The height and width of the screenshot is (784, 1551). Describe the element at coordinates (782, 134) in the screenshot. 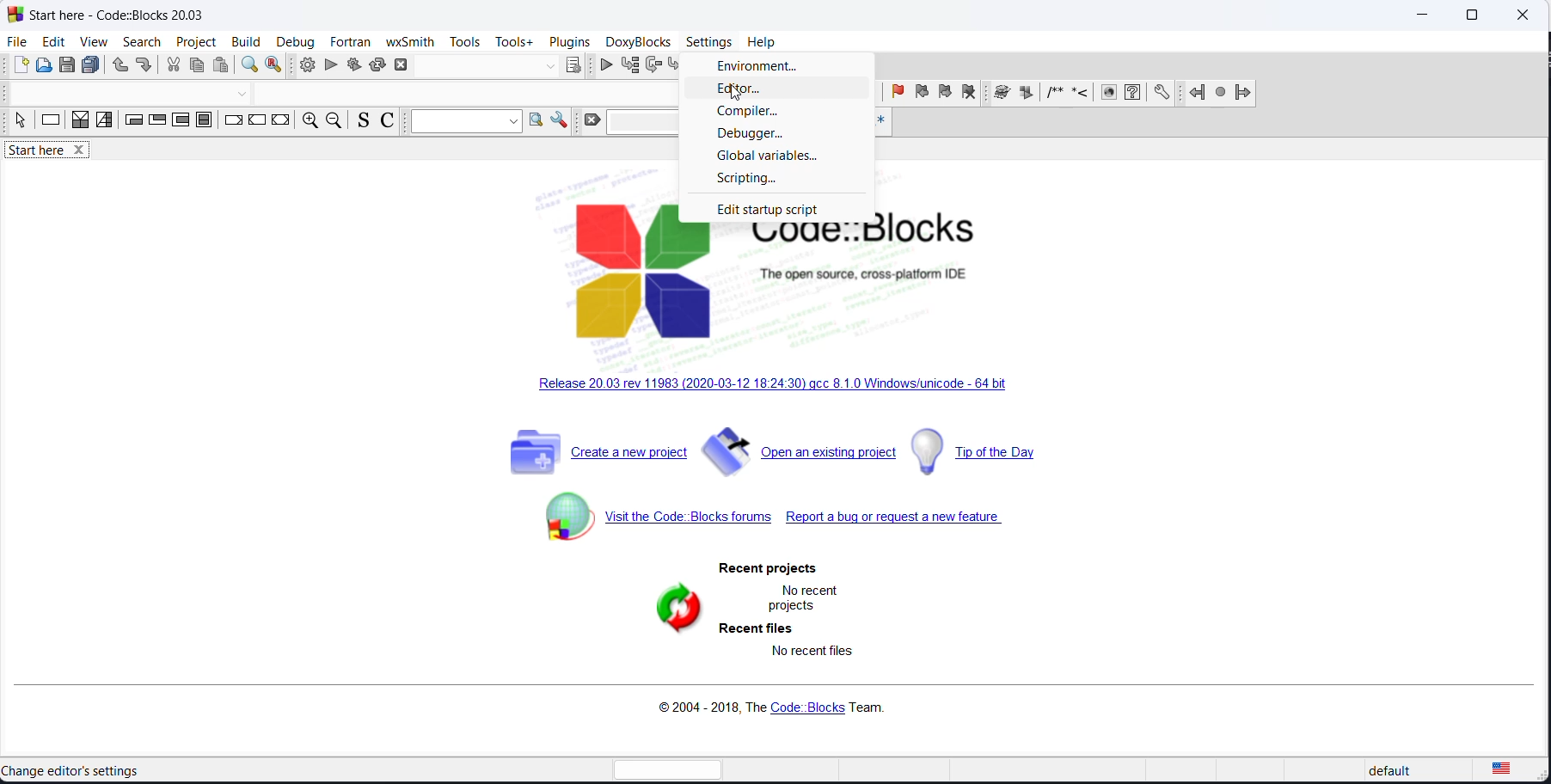

I see `debugger` at that location.